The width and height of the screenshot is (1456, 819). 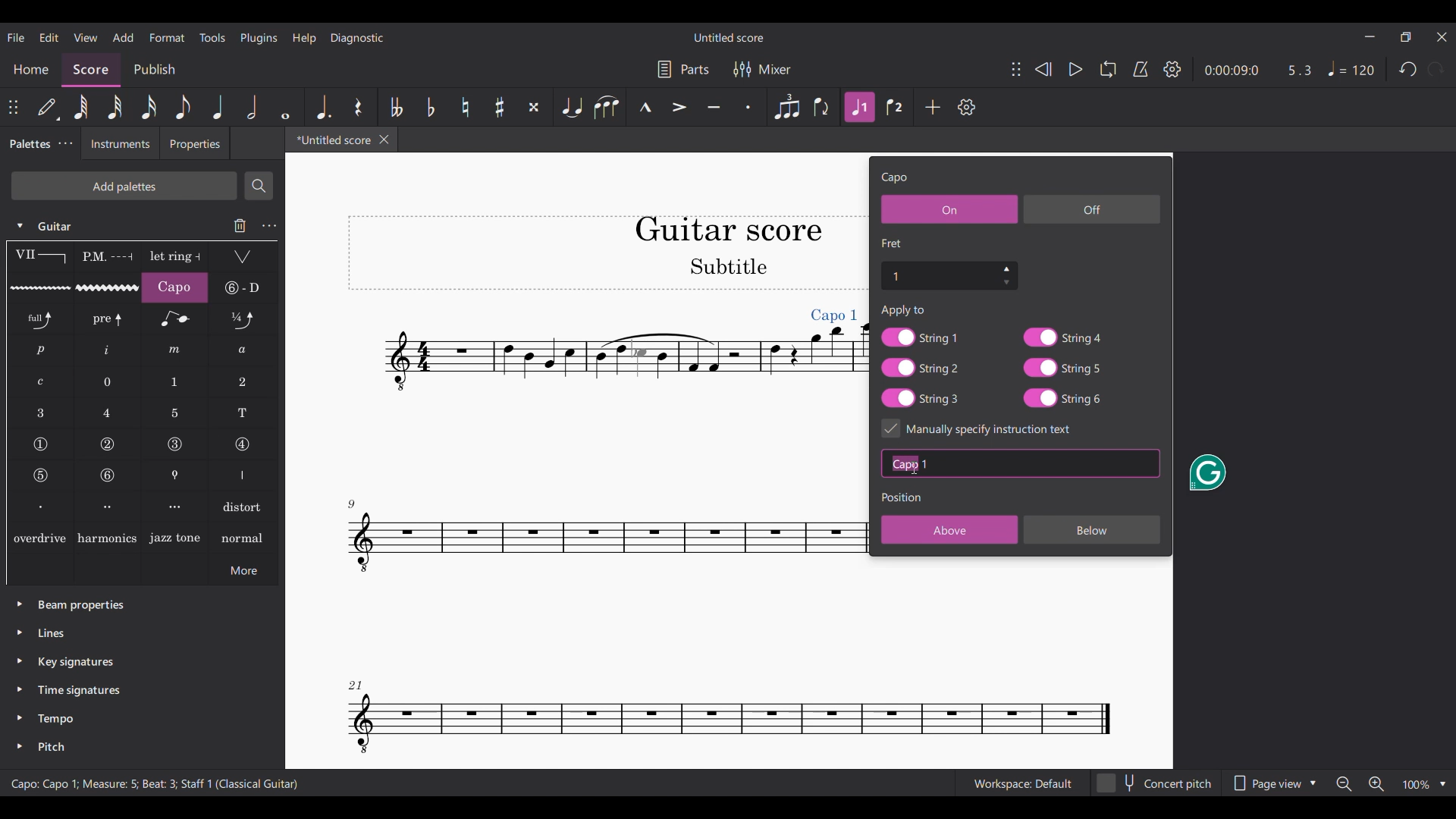 What do you see at coordinates (1076, 70) in the screenshot?
I see `Play` at bounding box center [1076, 70].